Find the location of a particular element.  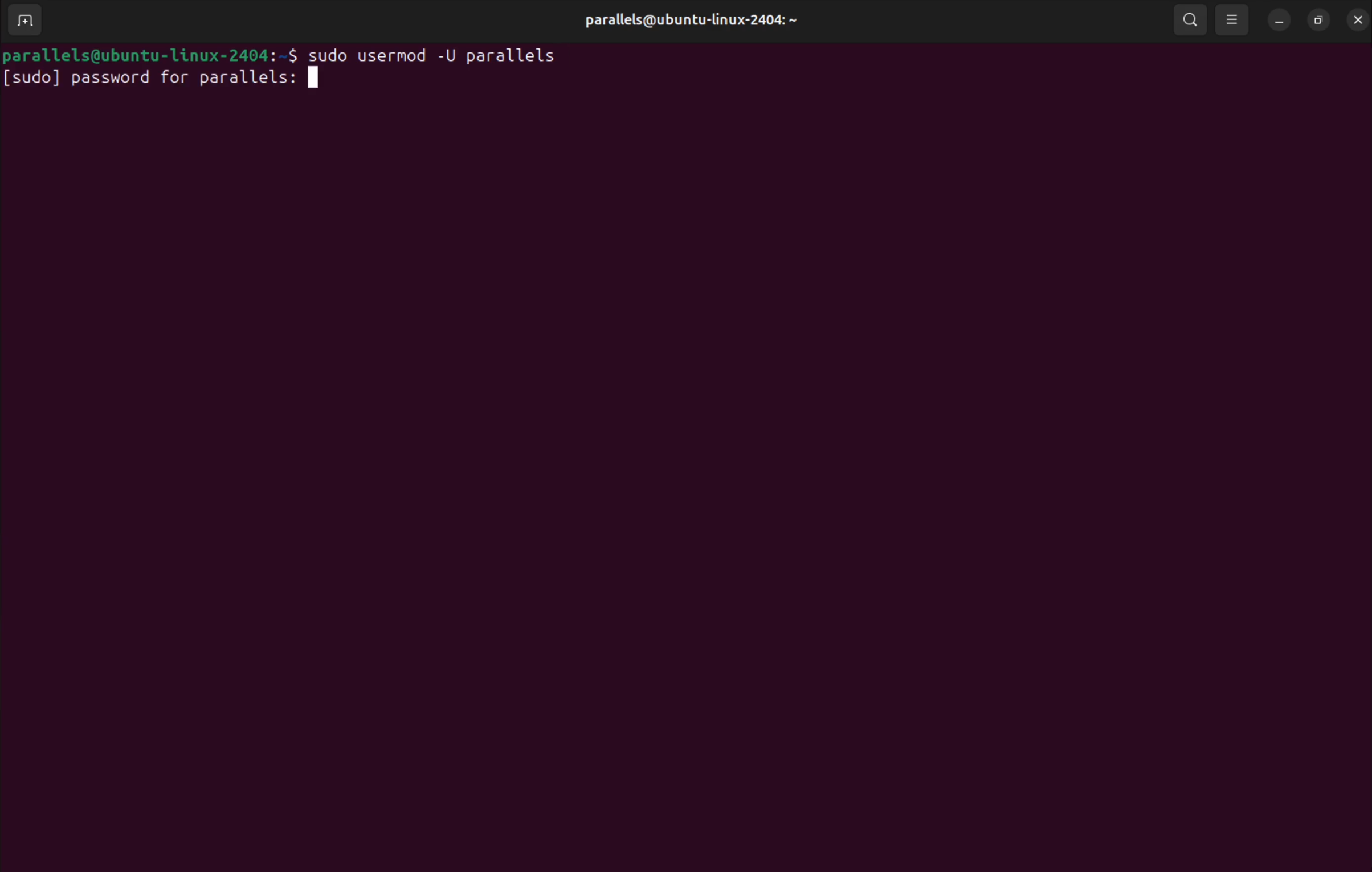

bash prompt is located at coordinates (153, 52).